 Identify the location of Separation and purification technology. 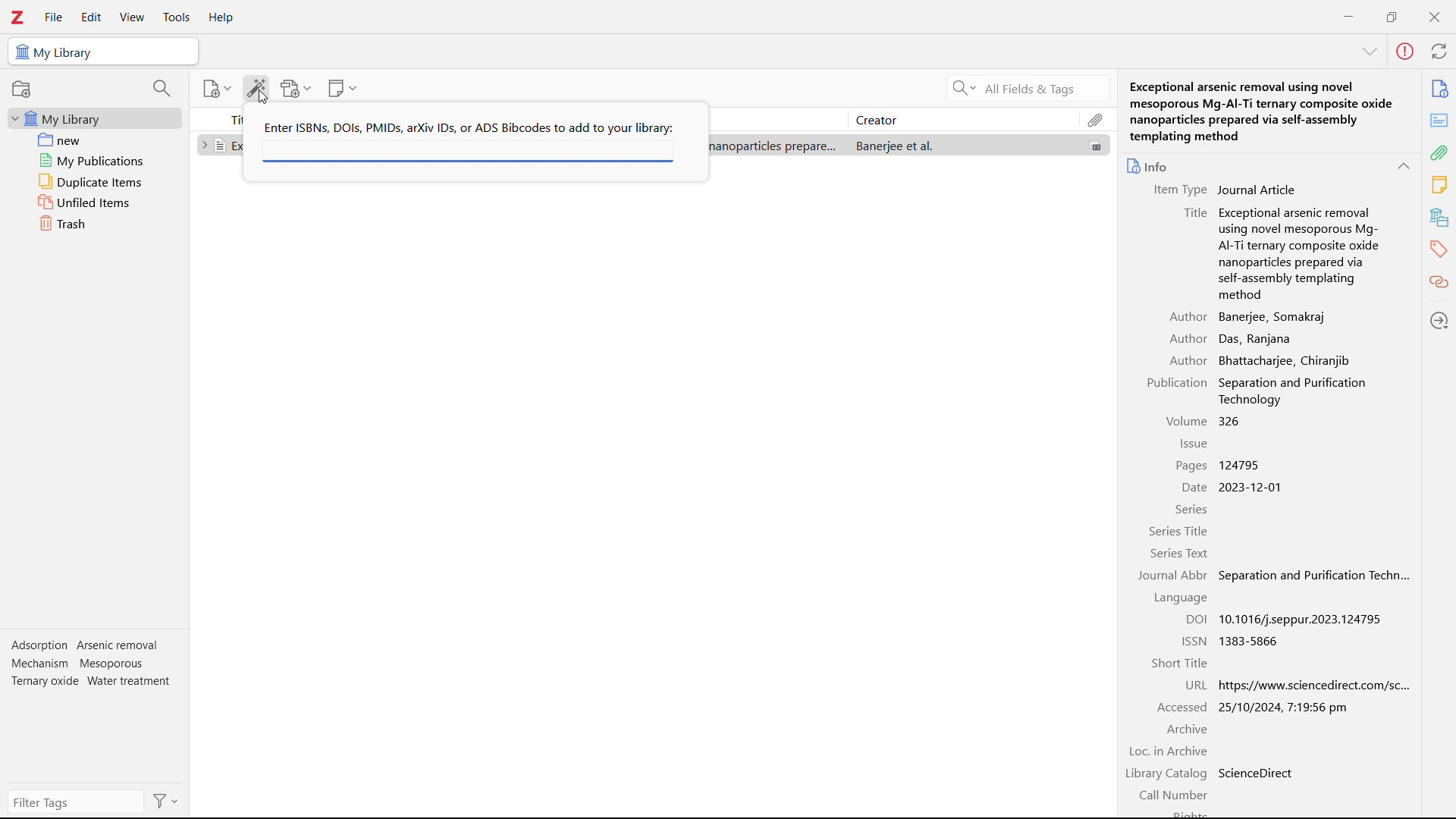
(1313, 575).